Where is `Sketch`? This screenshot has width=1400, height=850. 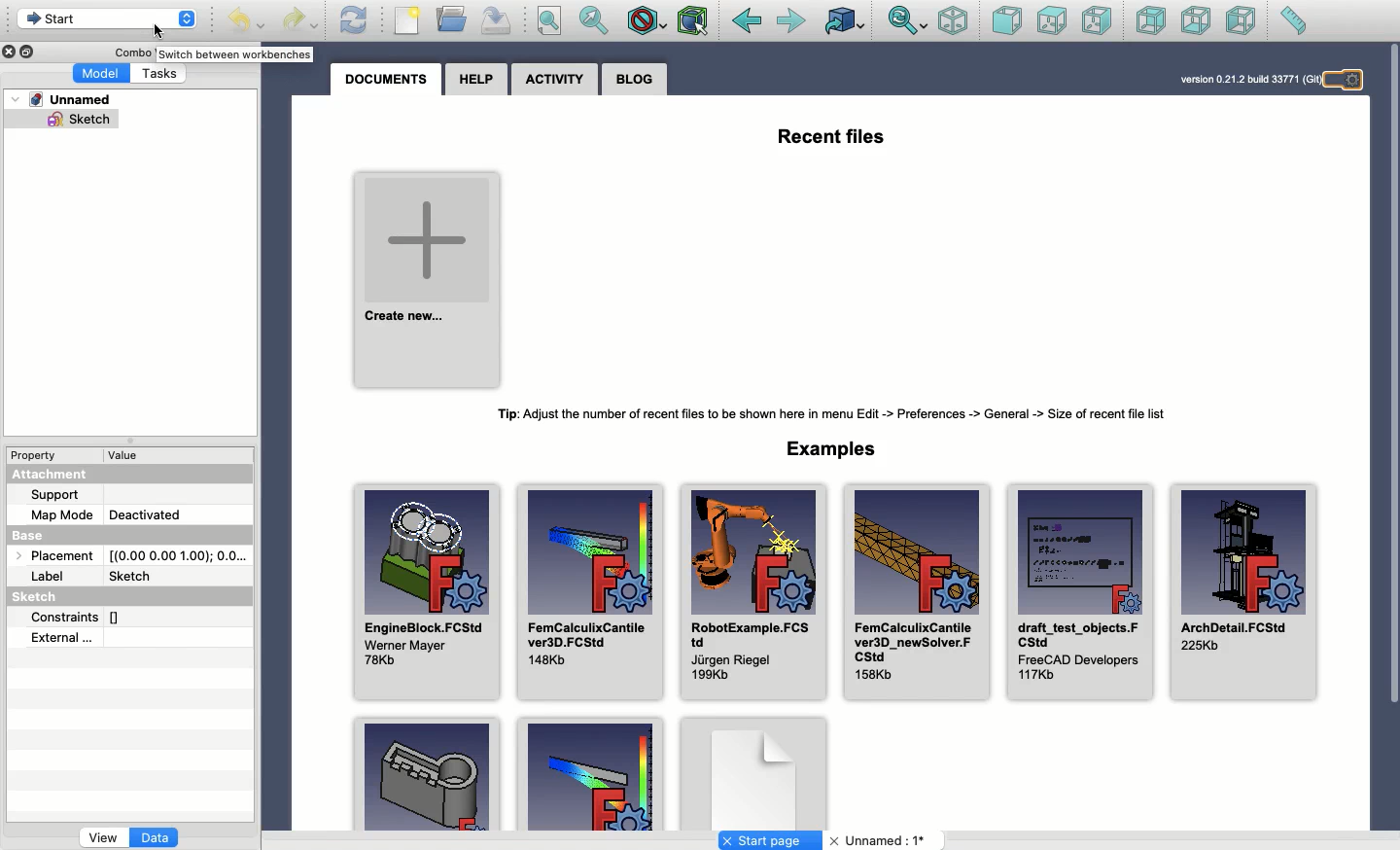
Sketch is located at coordinates (136, 577).